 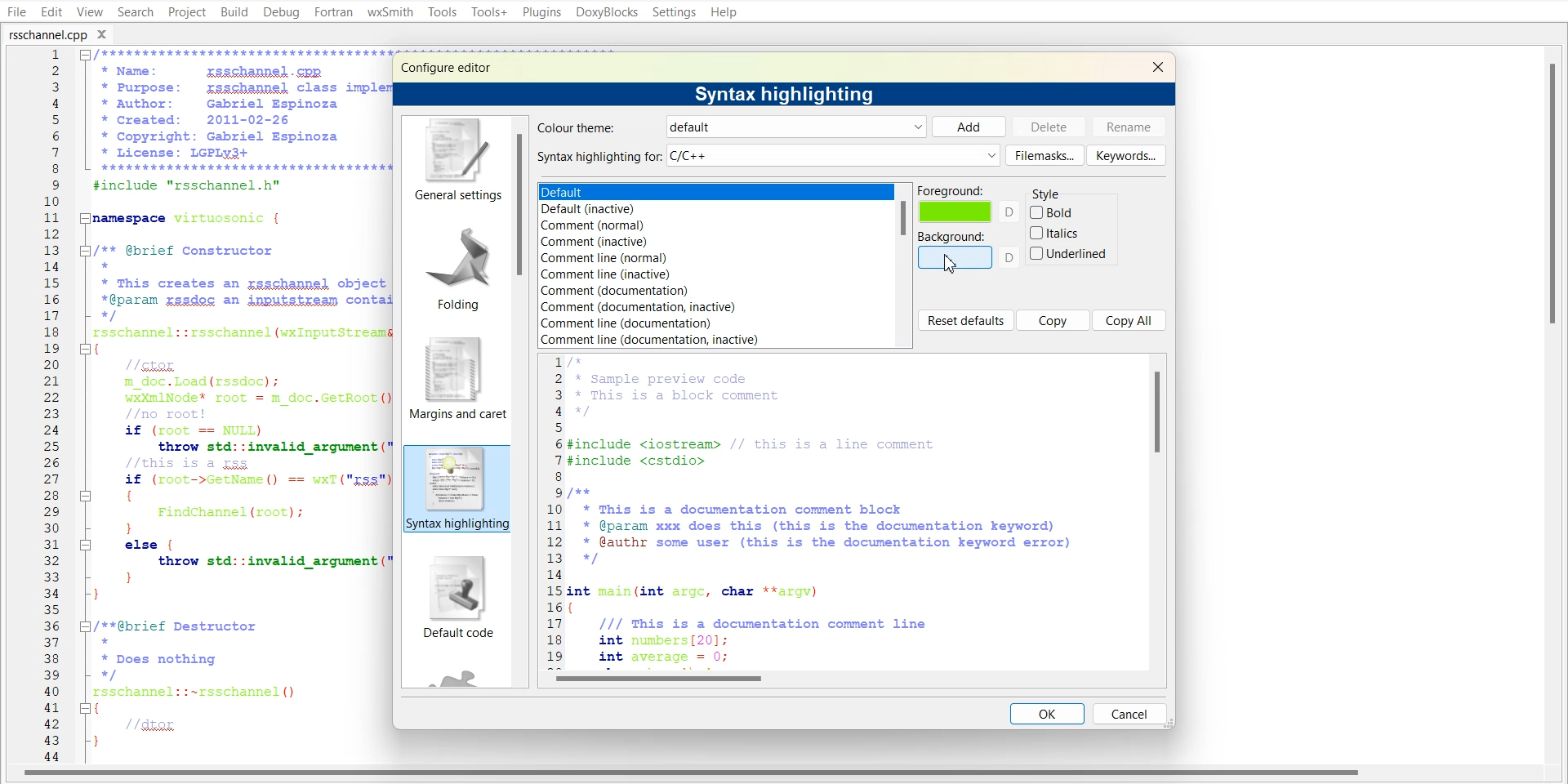 I want to click on Keywords, so click(x=1126, y=154).